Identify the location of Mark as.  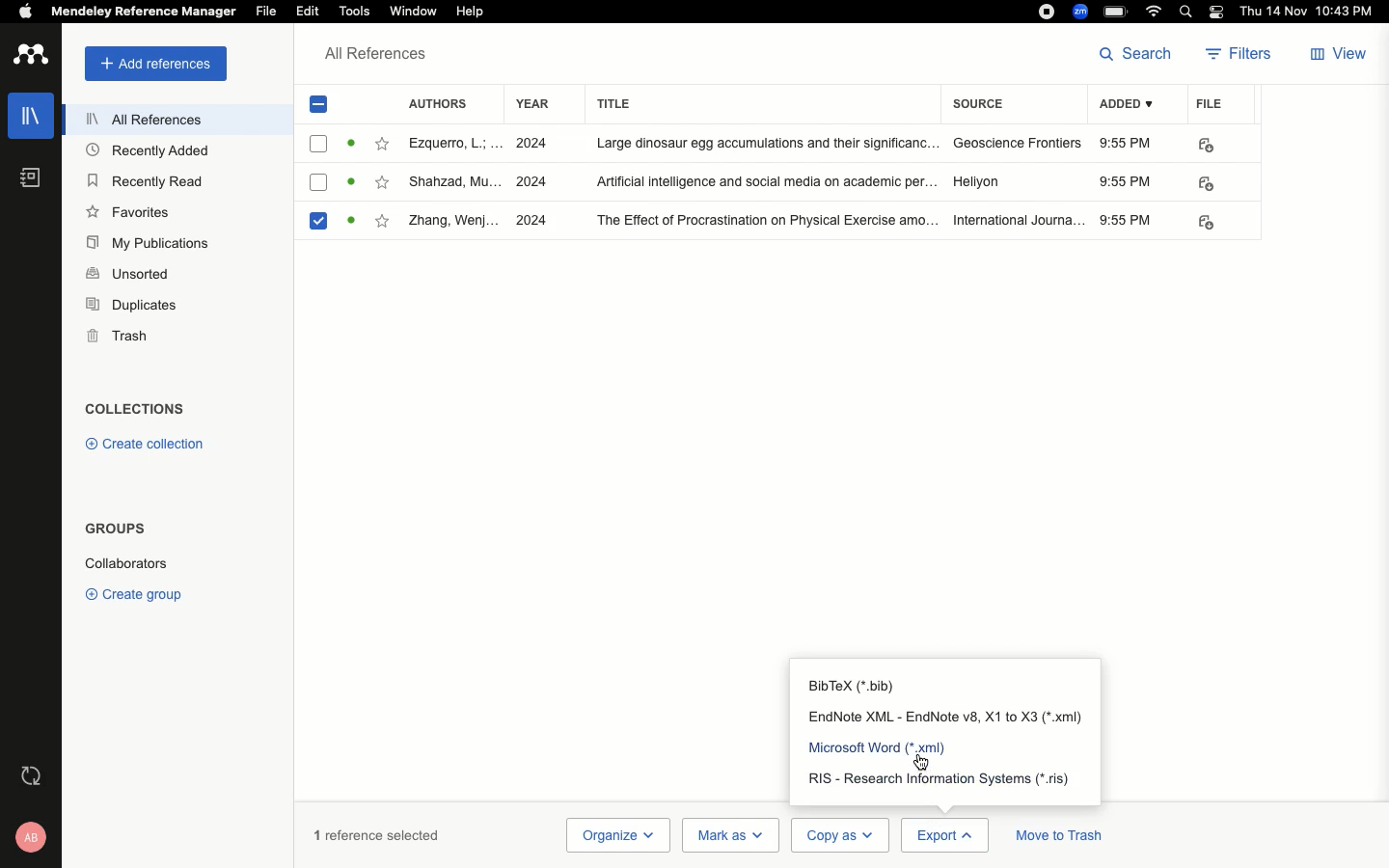
(730, 835).